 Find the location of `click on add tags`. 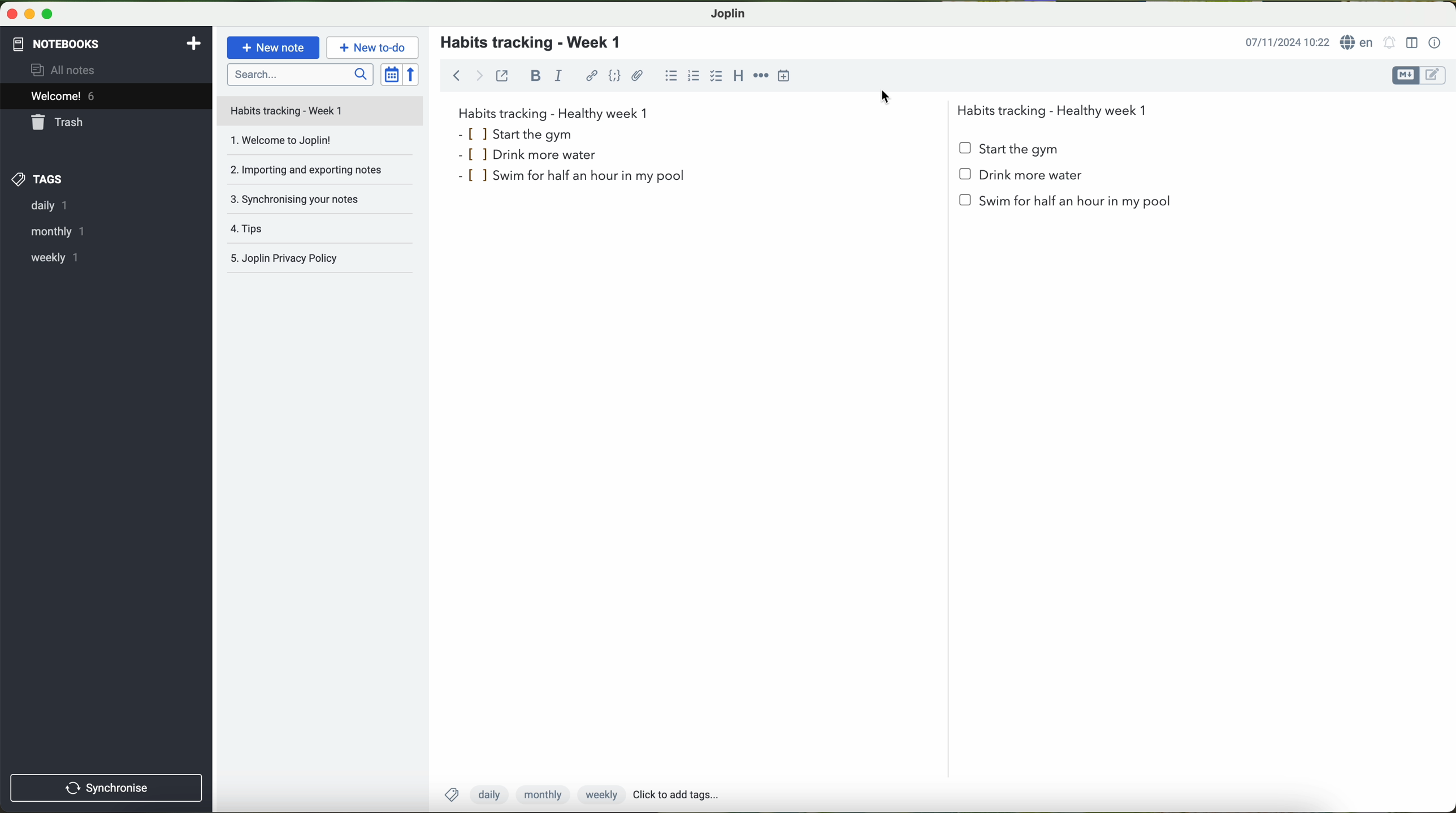

click on add tags is located at coordinates (691, 795).